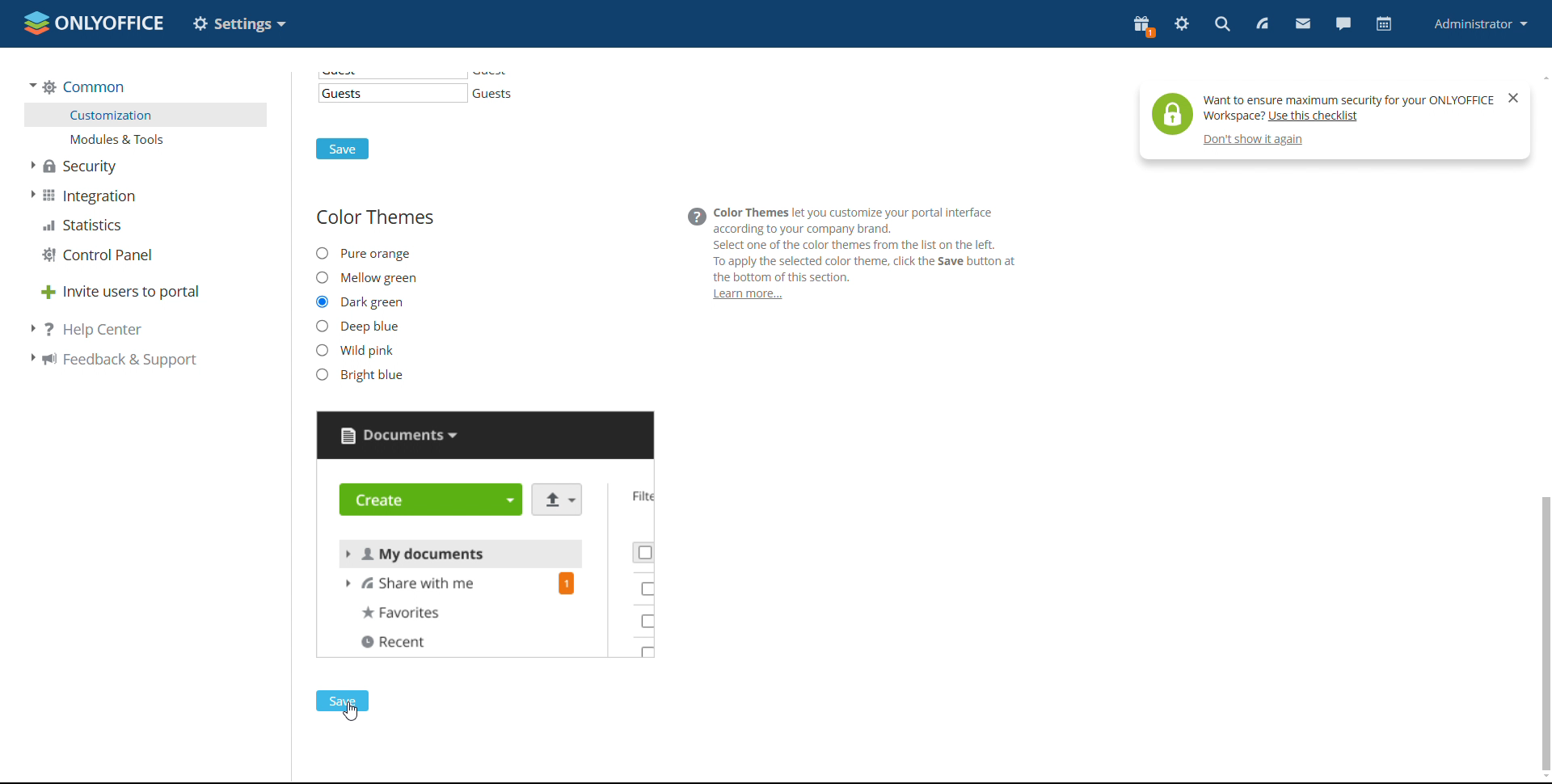  I want to click on security, so click(76, 166).